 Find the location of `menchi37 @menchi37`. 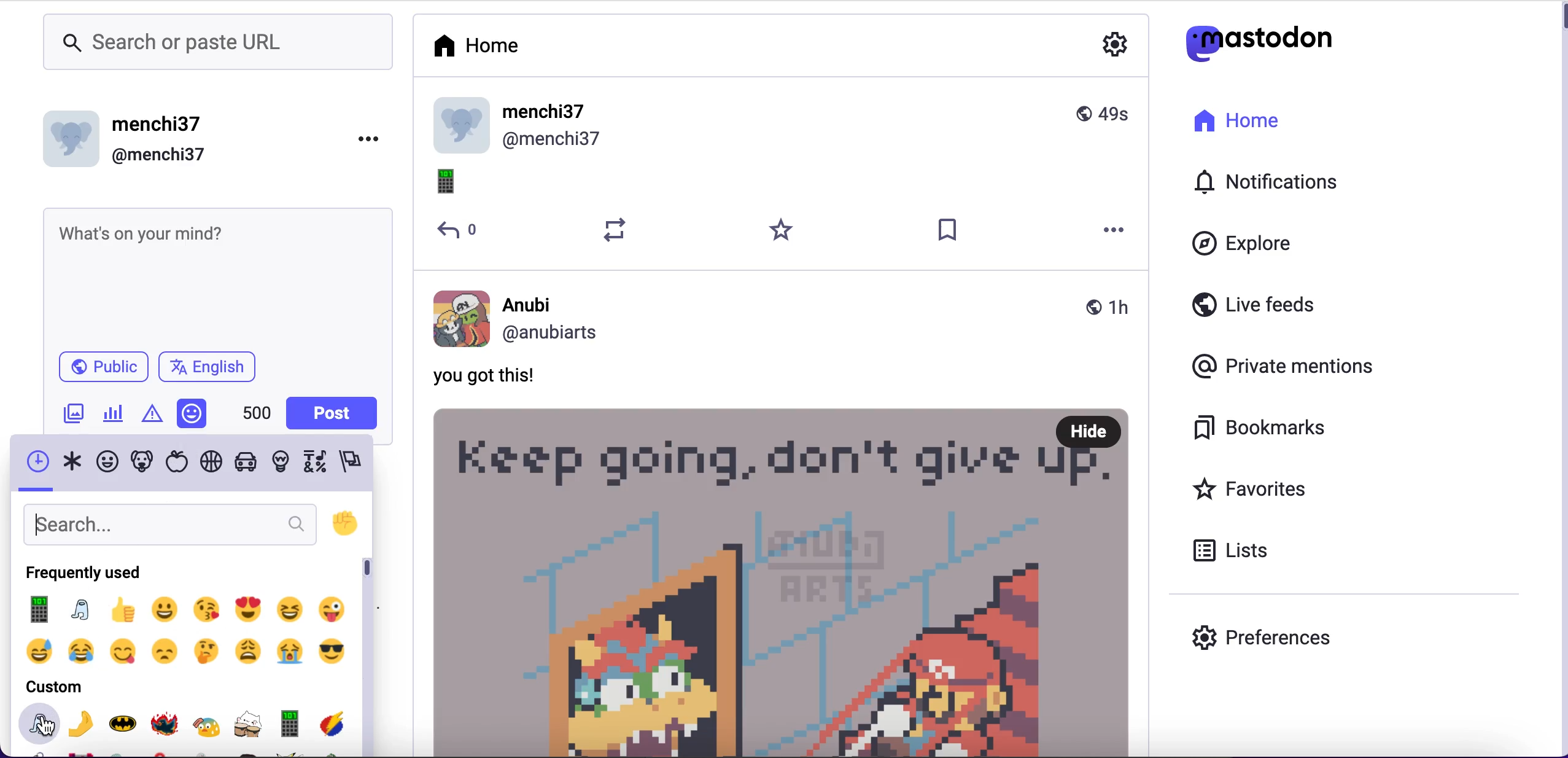

menchi37 @menchi37 is located at coordinates (782, 127).